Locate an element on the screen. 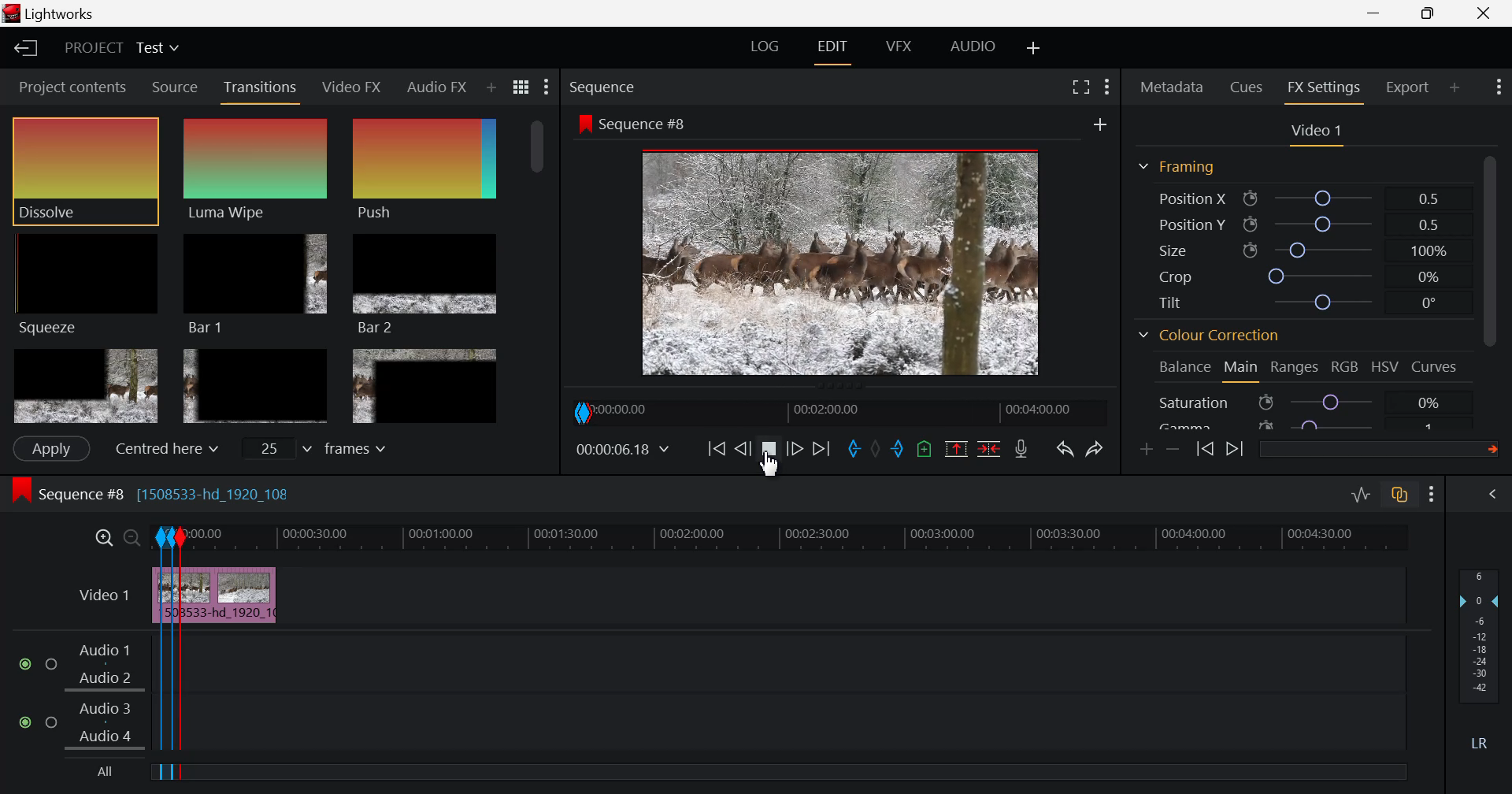 This screenshot has height=794, width=1512. Image is located at coordinates (846, 265).